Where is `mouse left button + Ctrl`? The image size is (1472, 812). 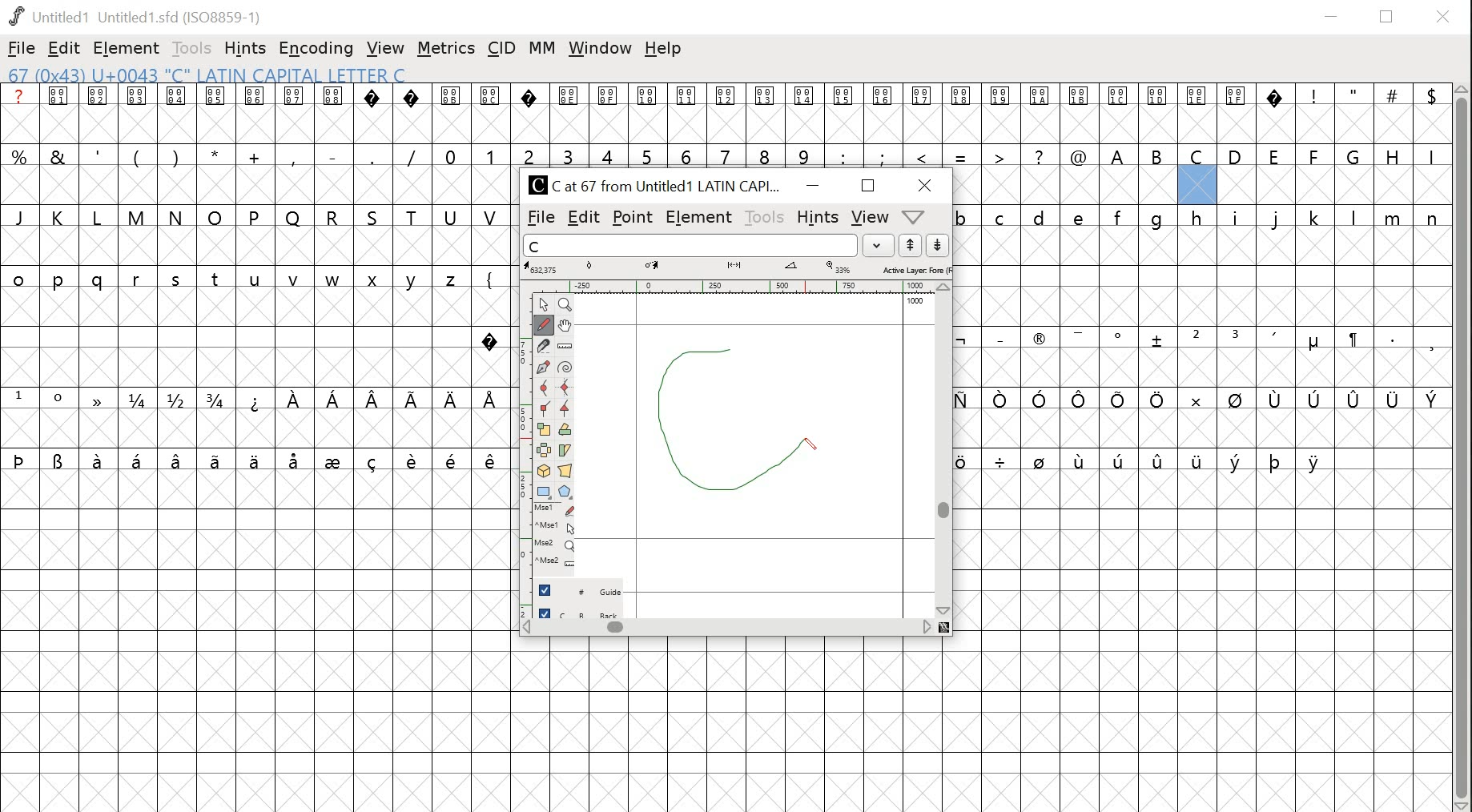 mouse left button + Ctrl is located at coordinates (557, 529).